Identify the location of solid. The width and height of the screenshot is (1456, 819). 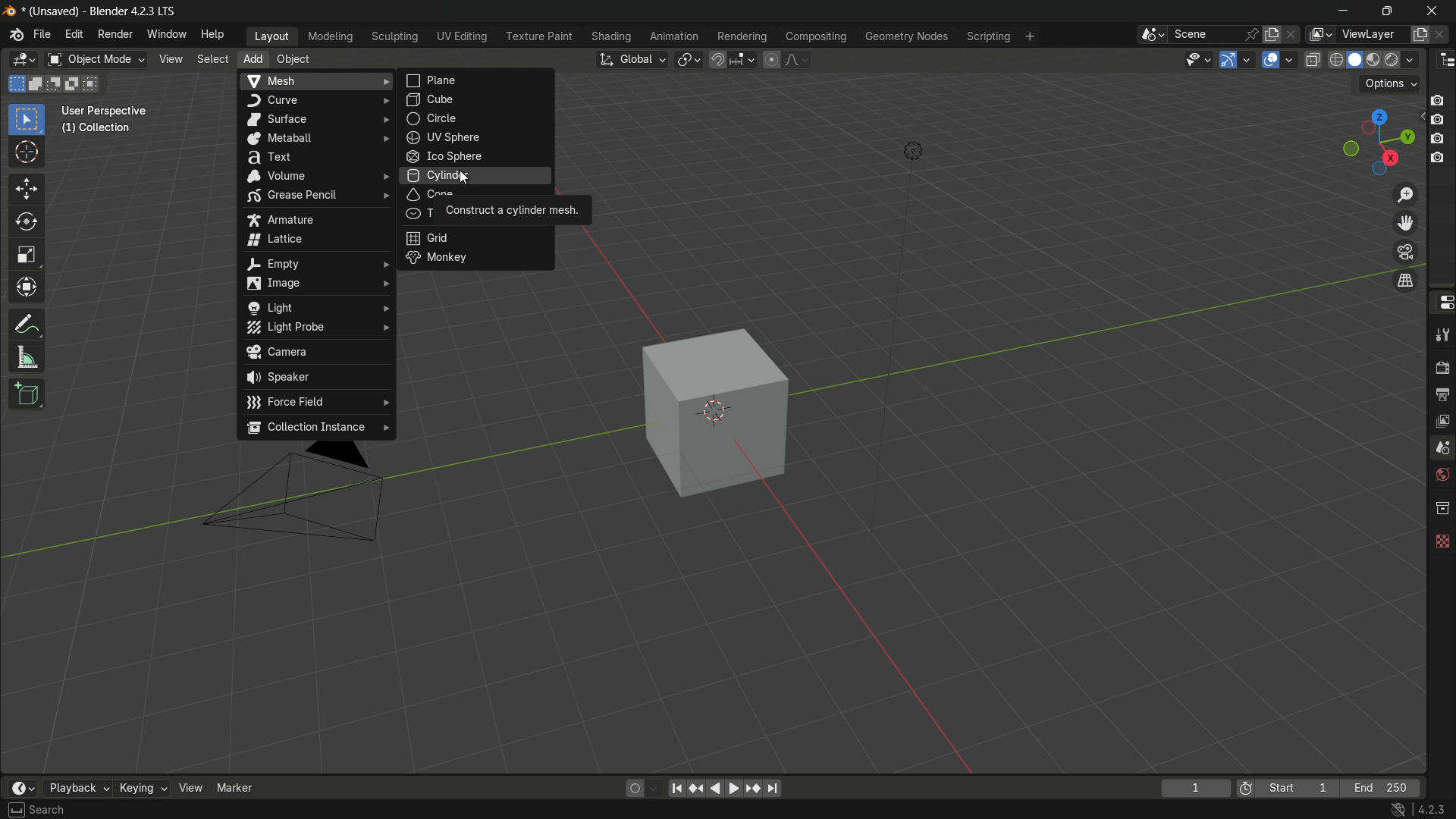
(1356, 61).